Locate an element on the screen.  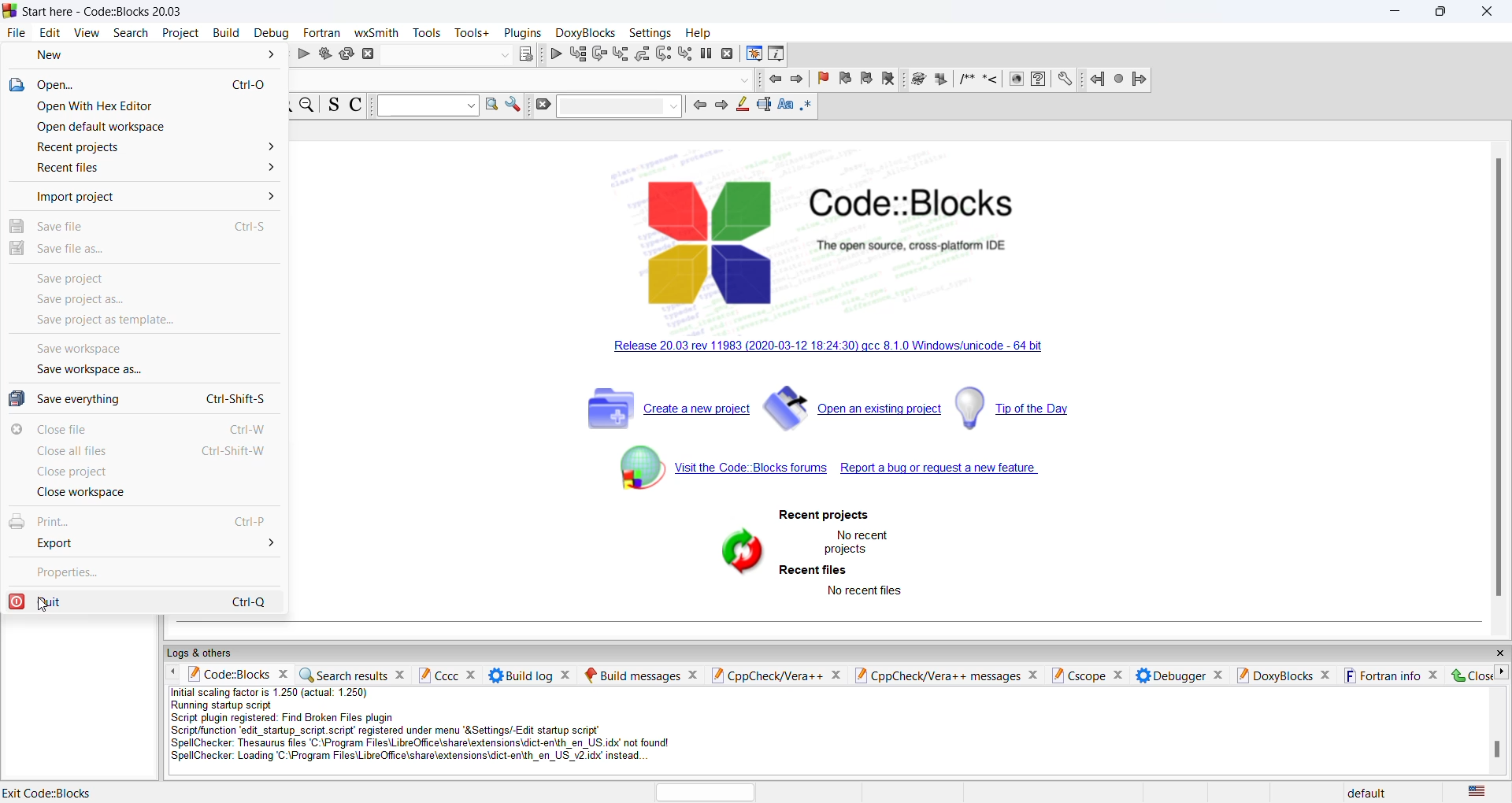
Save workspace is located at coordinates (83, 350).